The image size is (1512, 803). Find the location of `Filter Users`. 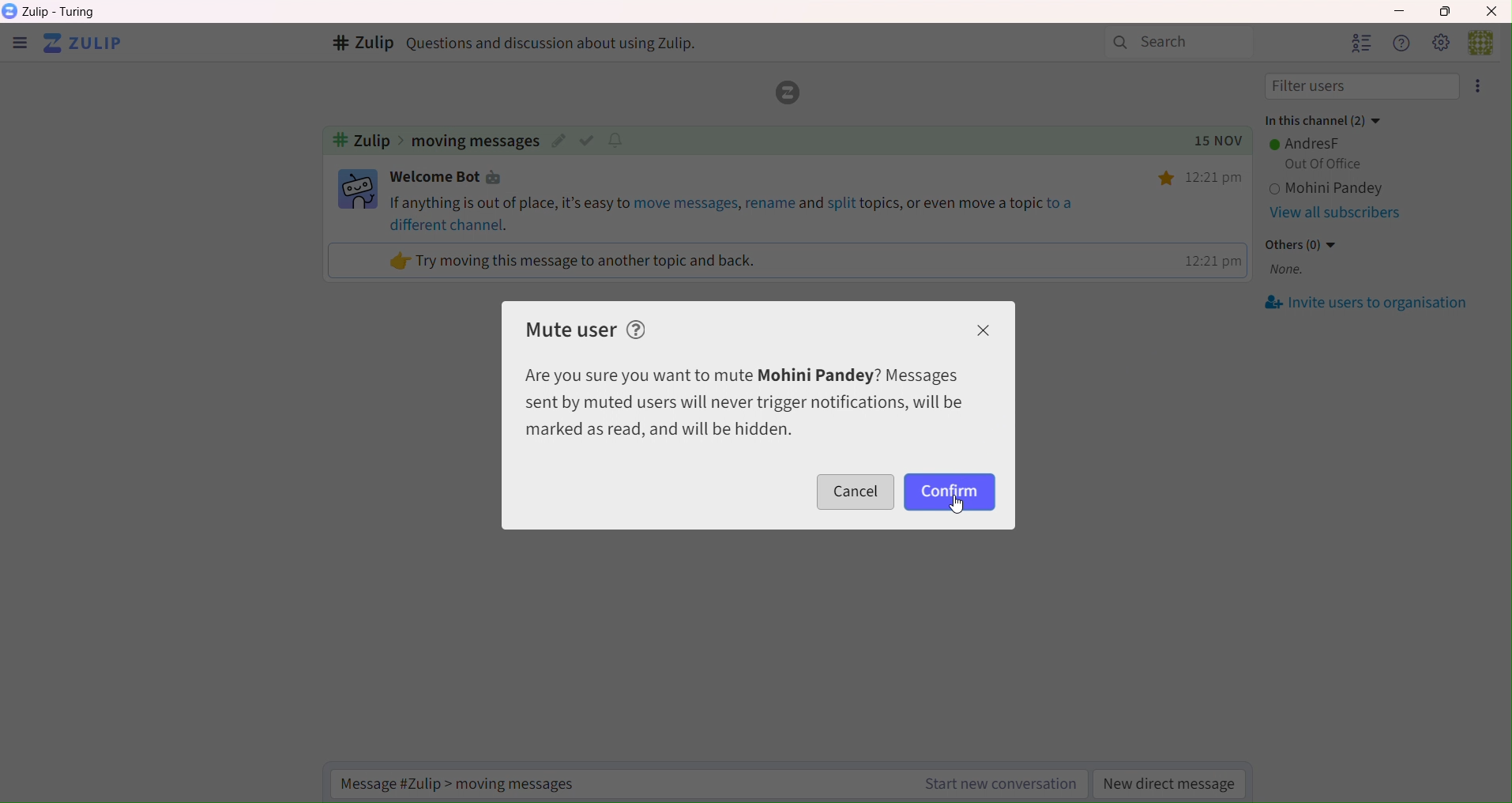

Filter Users is located at coordinates (1363, 87).